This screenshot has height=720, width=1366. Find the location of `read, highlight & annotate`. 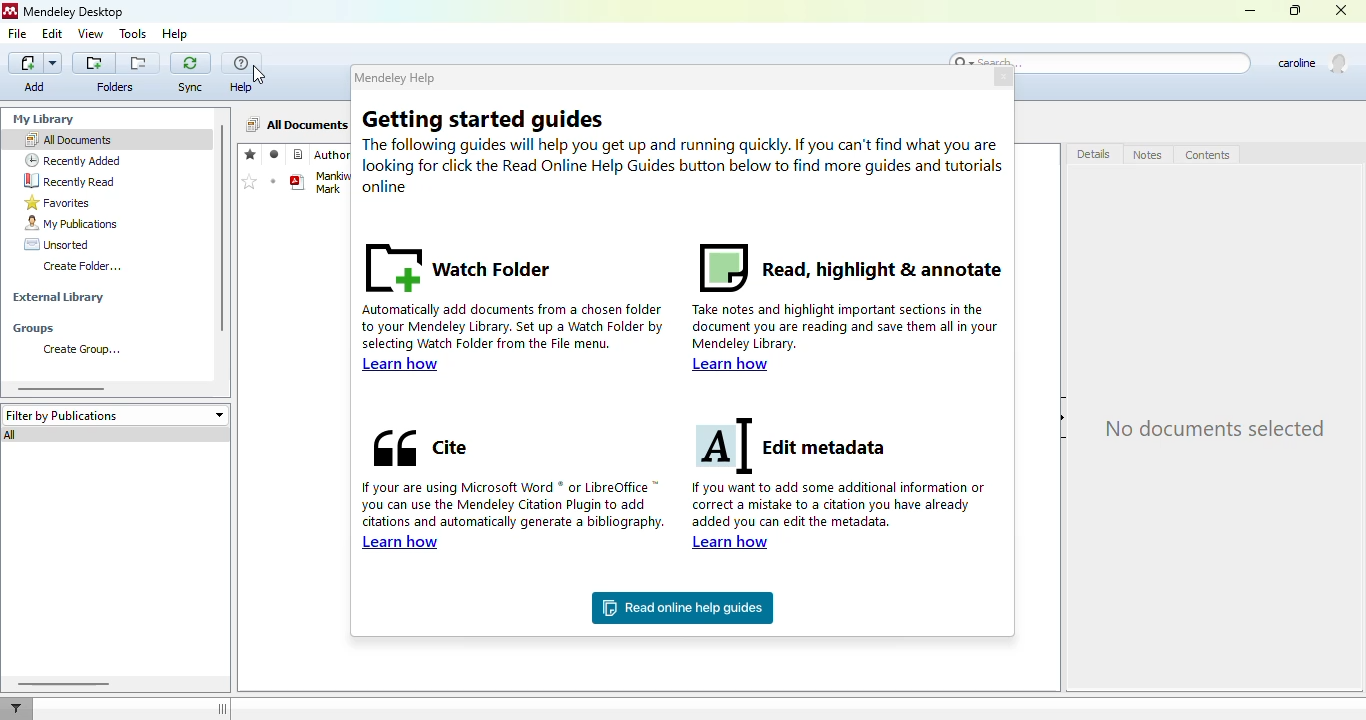

read, highlight & annotate is located at coordinates (848, 266).